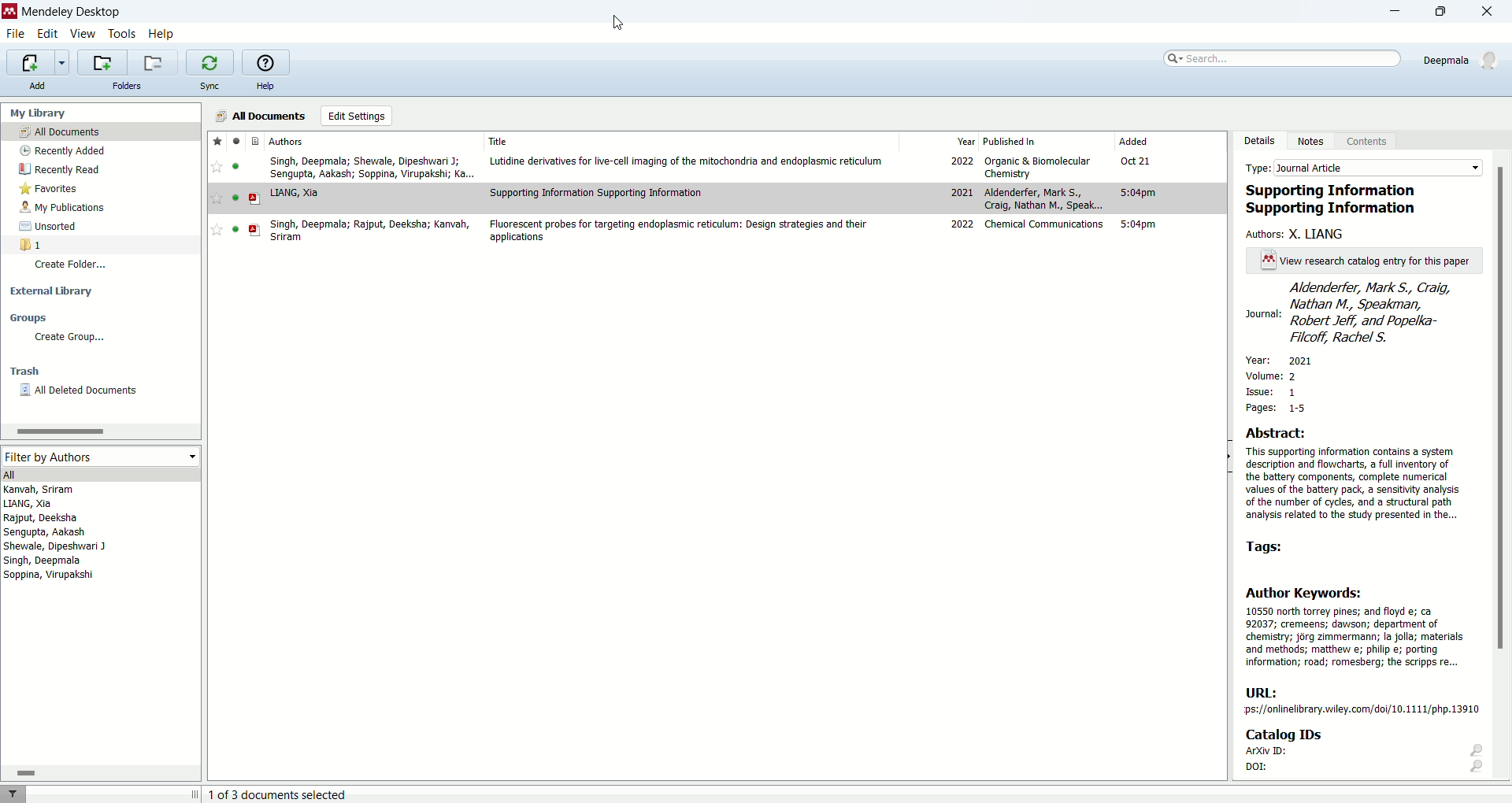 The image size is (1512, 803). I want to click on unread, so click(235, 198).